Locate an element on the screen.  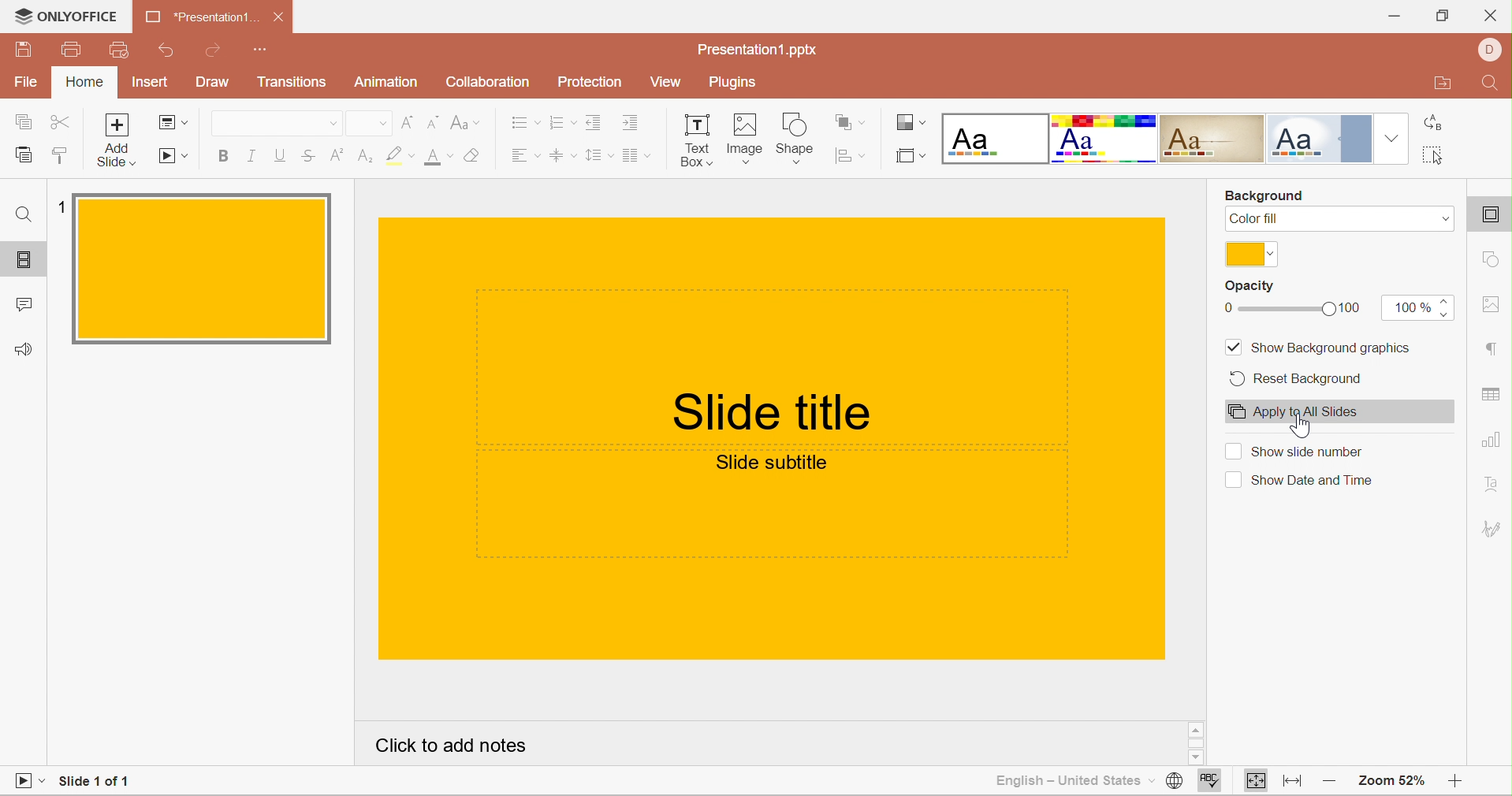
Change slide layout is located at coordinates (169, 121).